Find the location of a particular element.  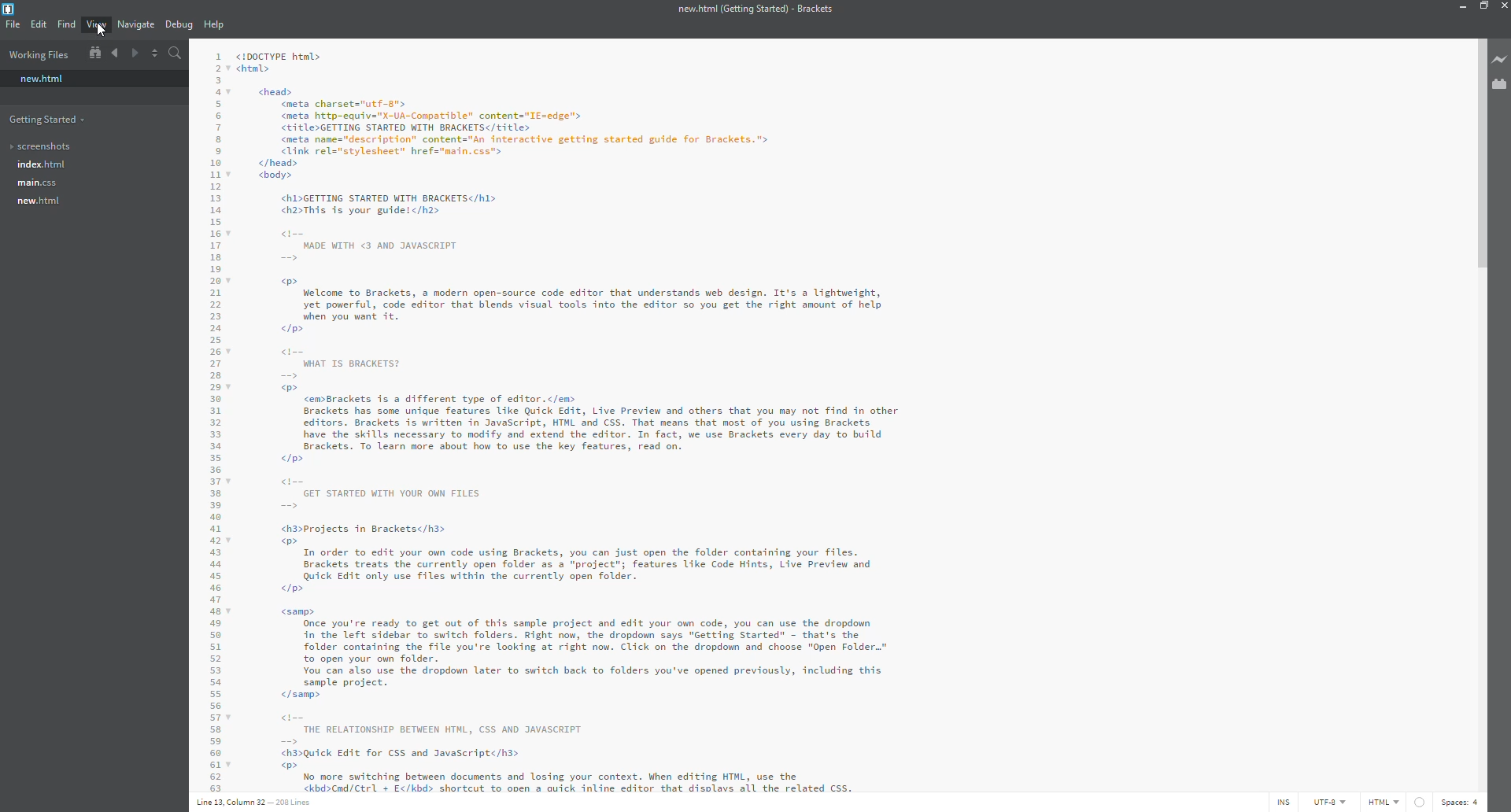

live preview is located at coordinates (1501, 58).